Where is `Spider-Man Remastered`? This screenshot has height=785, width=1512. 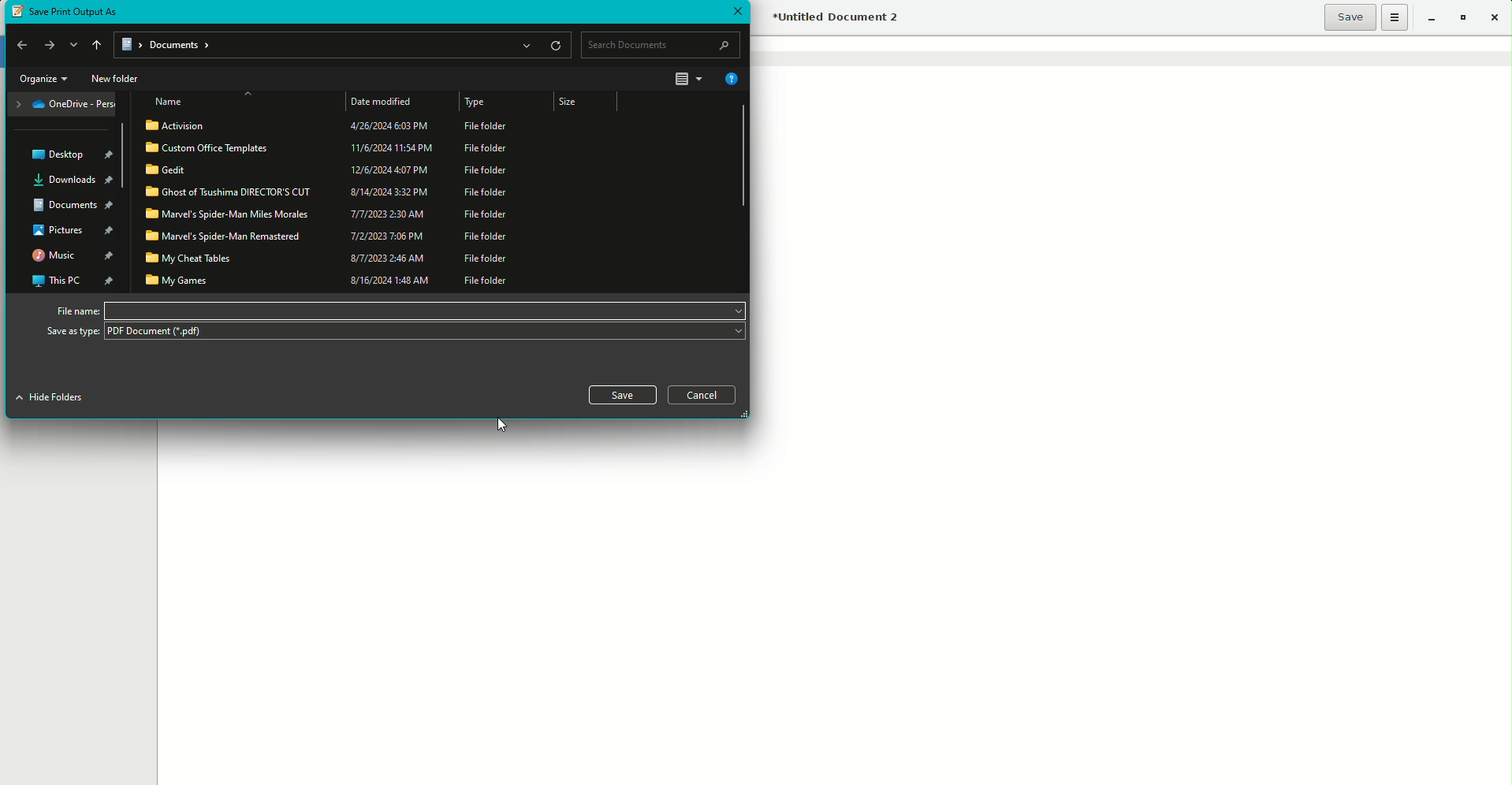 Spider-Man Remastered is located at coordinates (328, 235).